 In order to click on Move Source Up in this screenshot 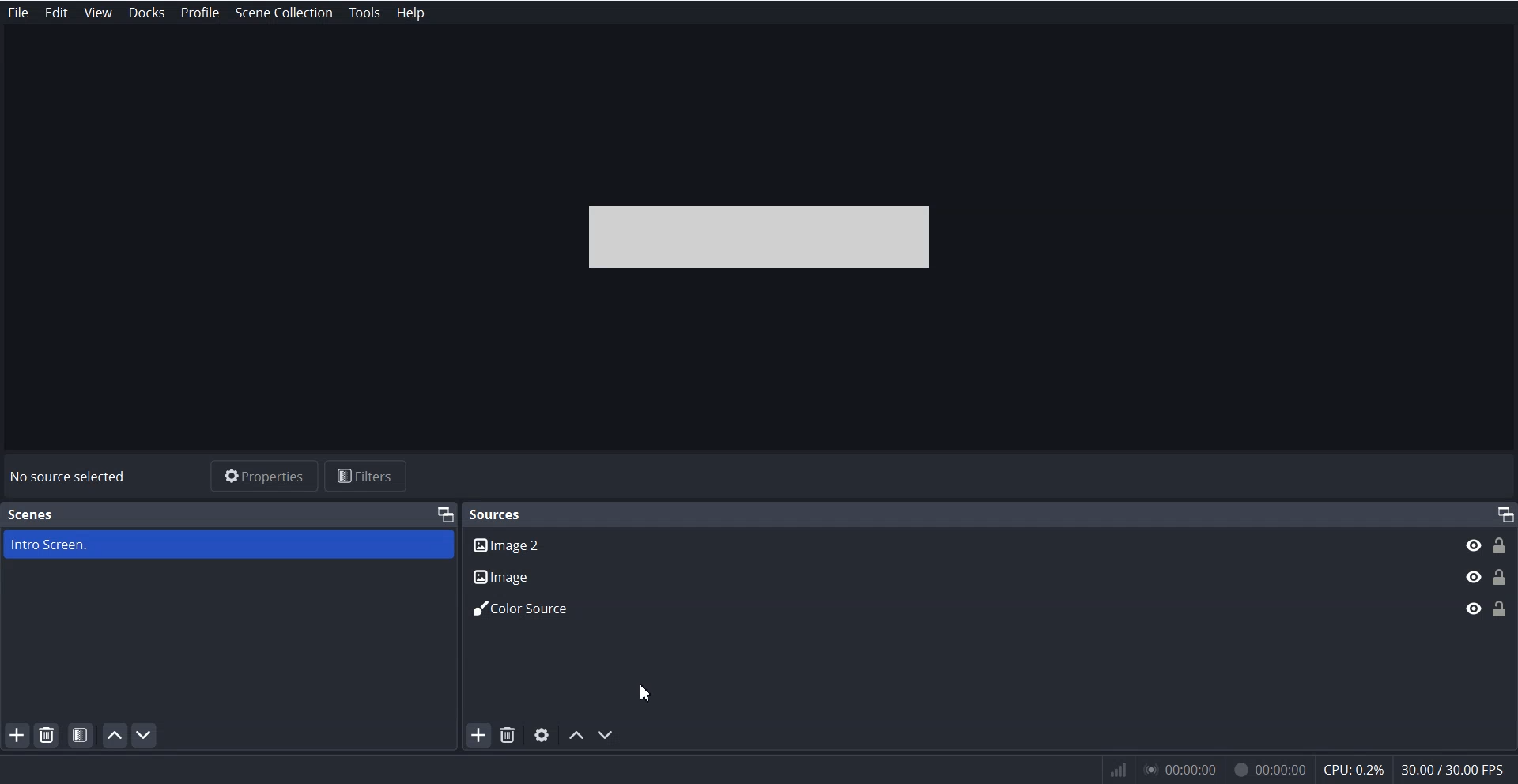, I will do `click(576, 735)`.